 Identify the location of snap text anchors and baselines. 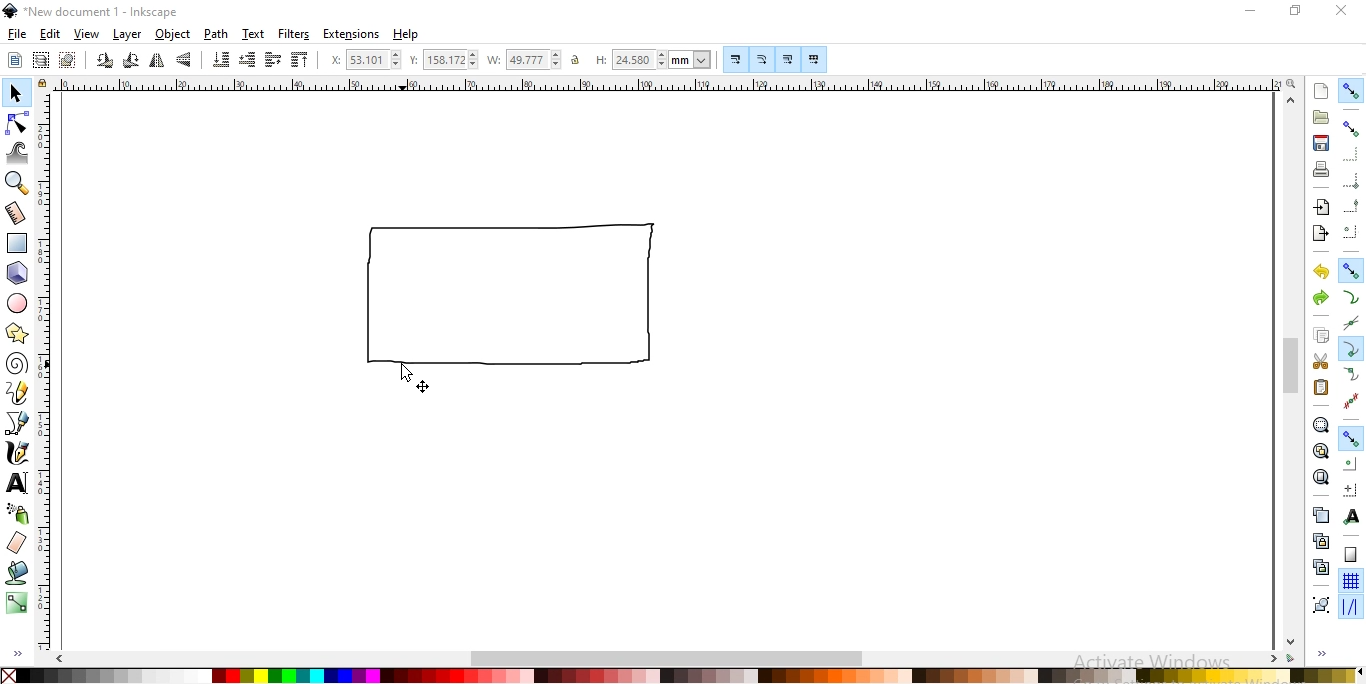
(1353, 517).